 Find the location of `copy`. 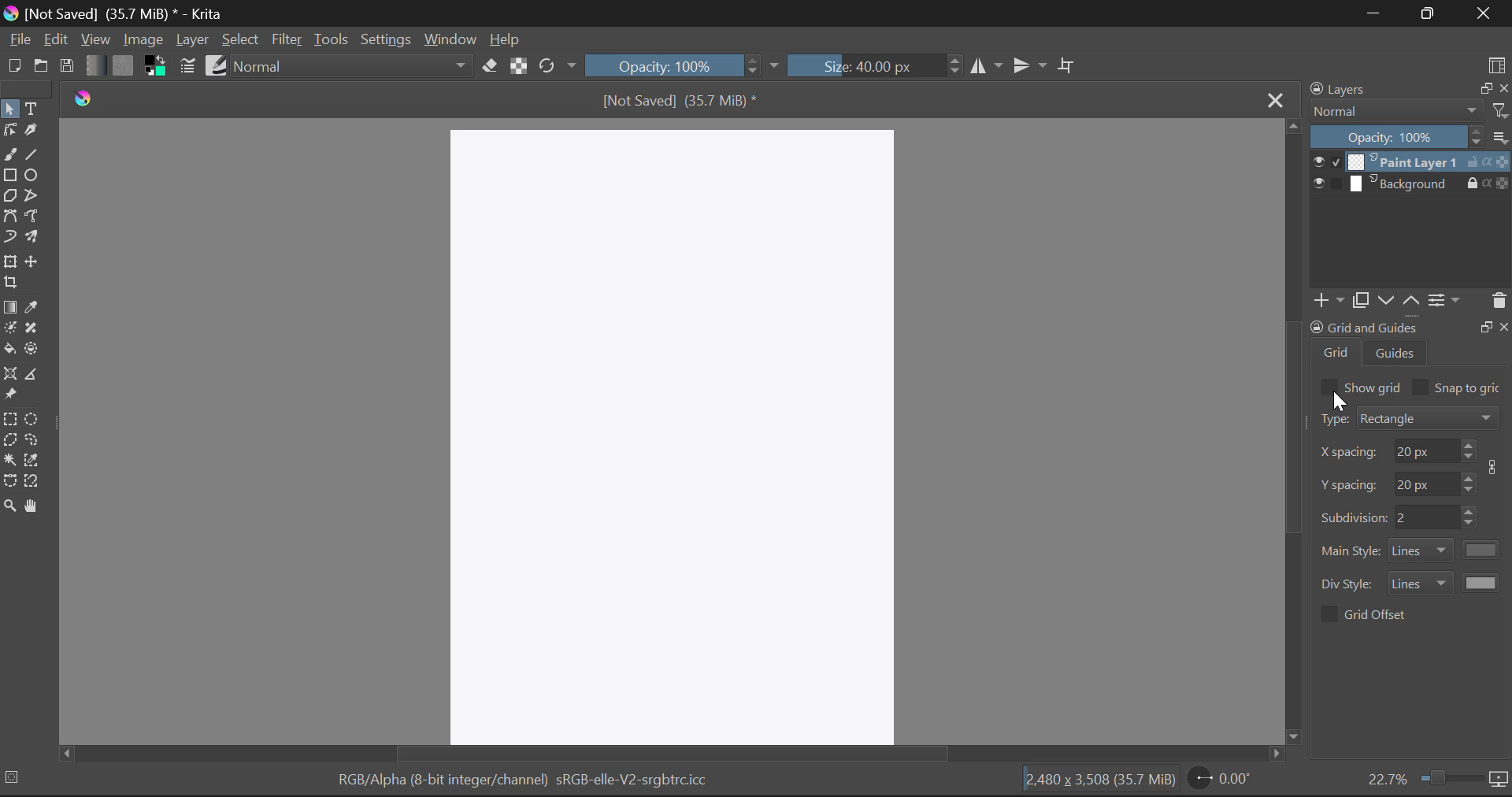

copy is located at coordinates (1359, 300).